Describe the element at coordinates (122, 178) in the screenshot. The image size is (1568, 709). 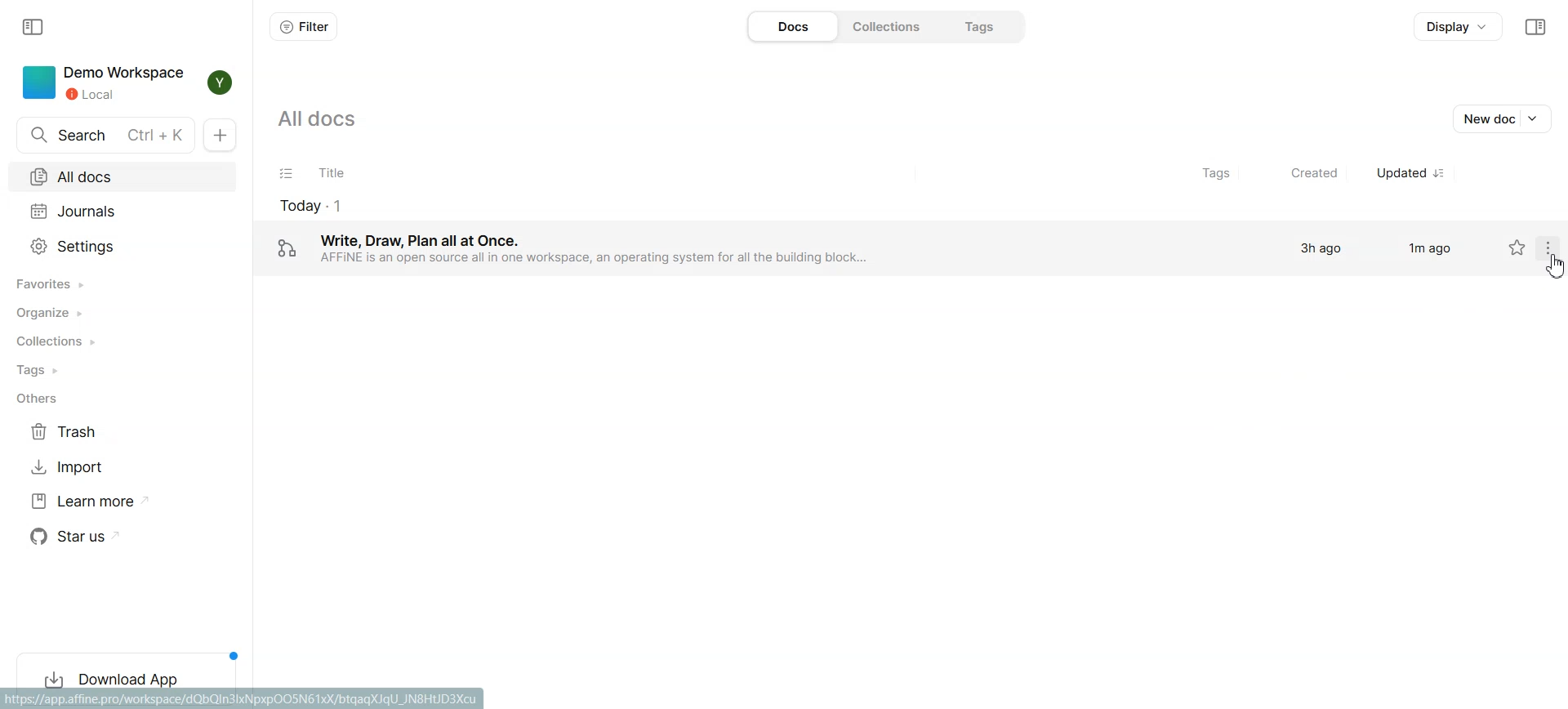
I see `All docs` at that location.